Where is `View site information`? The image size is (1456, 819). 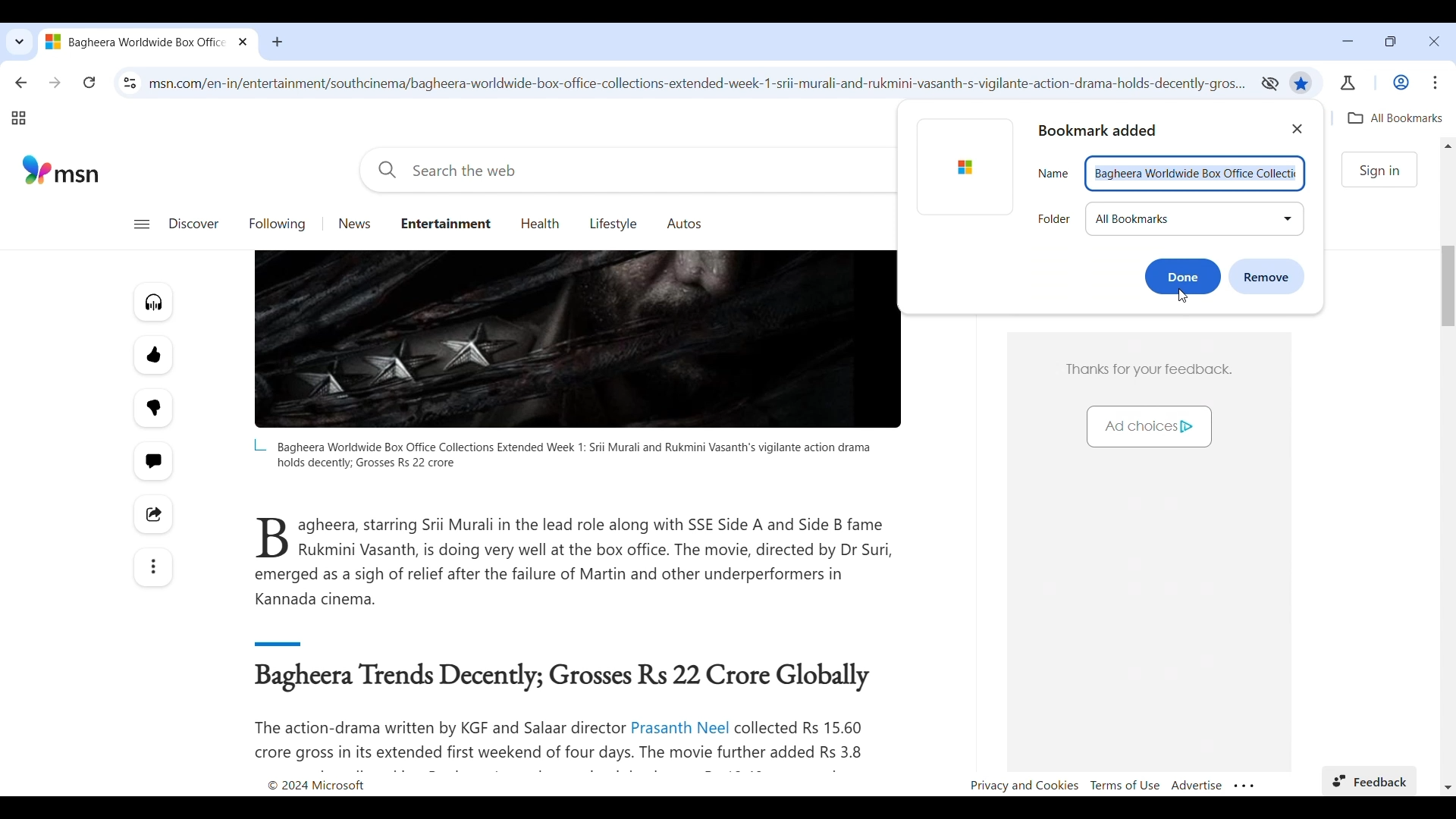 View site information is located at coordinates (130, 83).